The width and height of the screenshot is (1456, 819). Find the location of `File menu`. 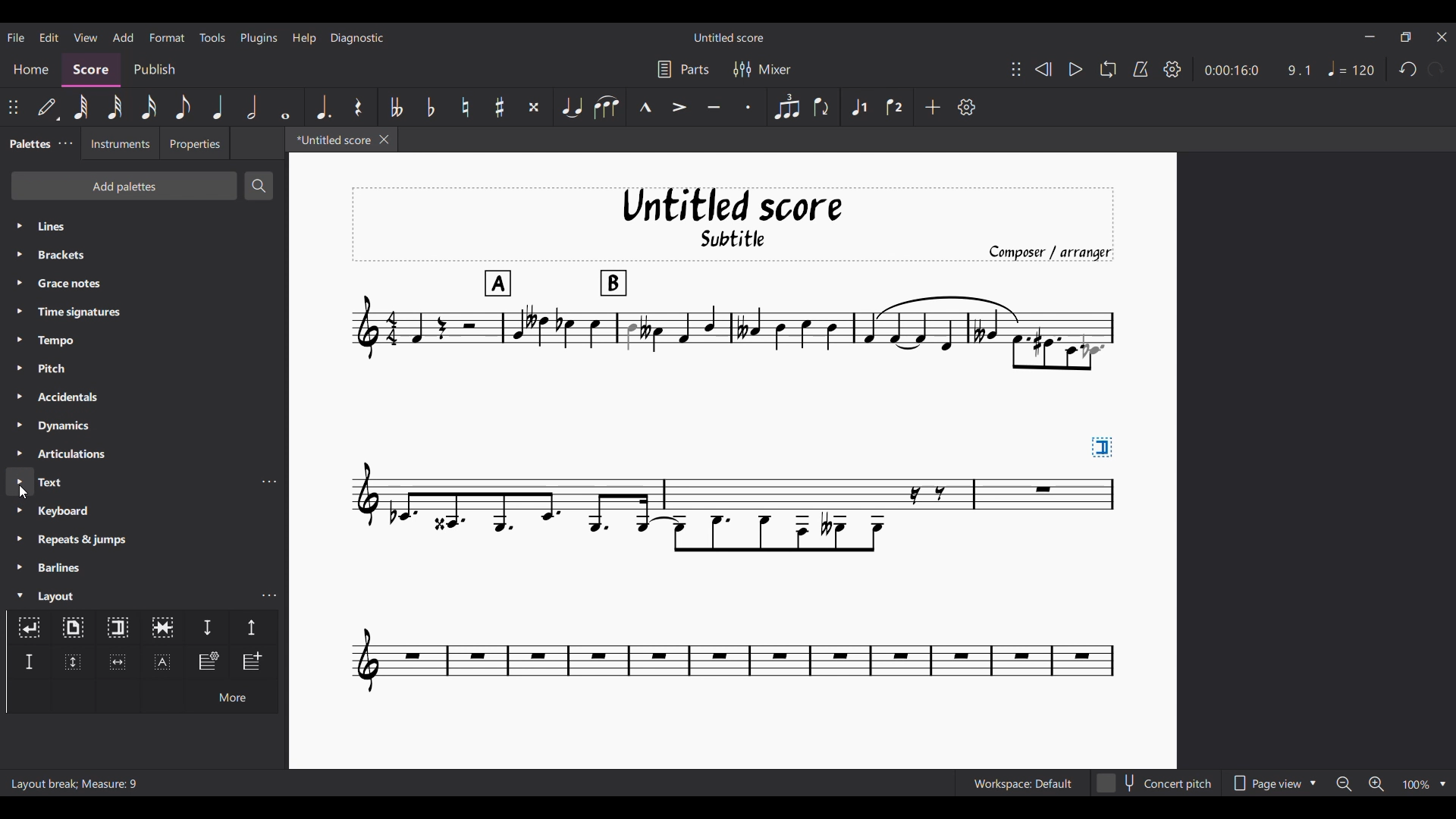

File menu is located at coordinates (16, 37).